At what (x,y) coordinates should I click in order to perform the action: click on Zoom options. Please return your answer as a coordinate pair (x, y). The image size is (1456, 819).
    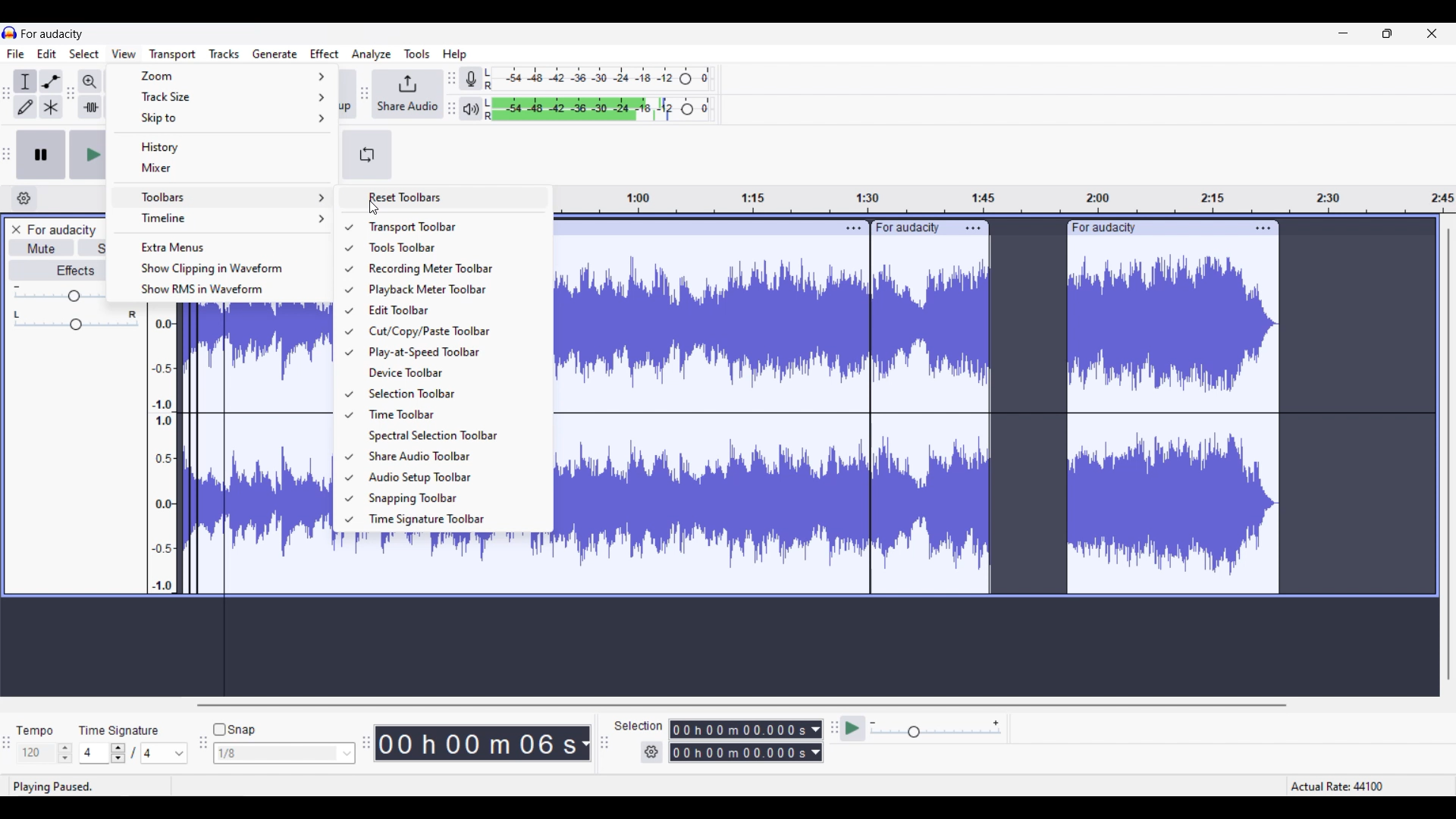
    Looking at the image, I should click on (222, 77).